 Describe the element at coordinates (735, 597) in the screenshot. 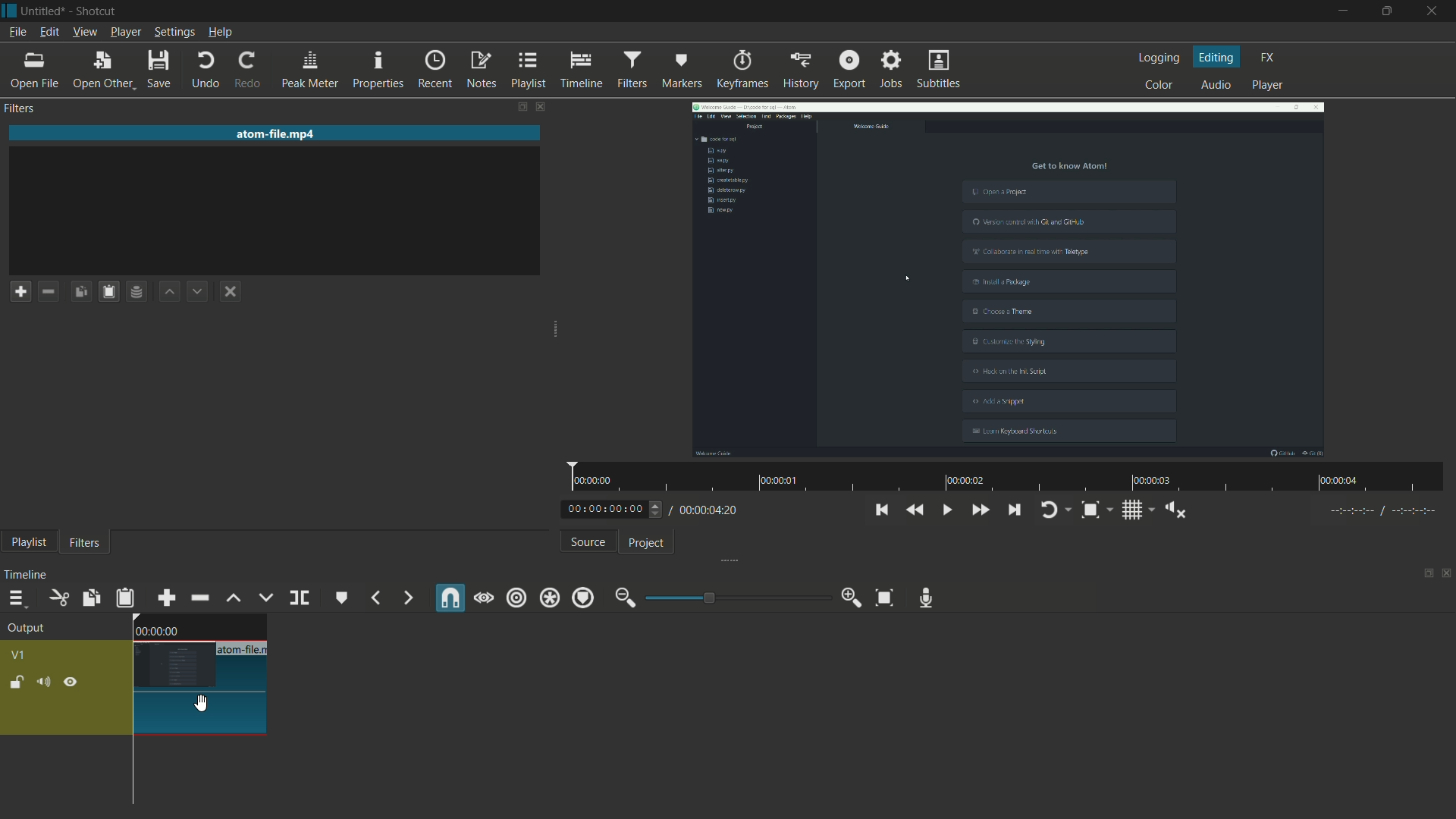

I see `zoom adjustment bar` at that location.